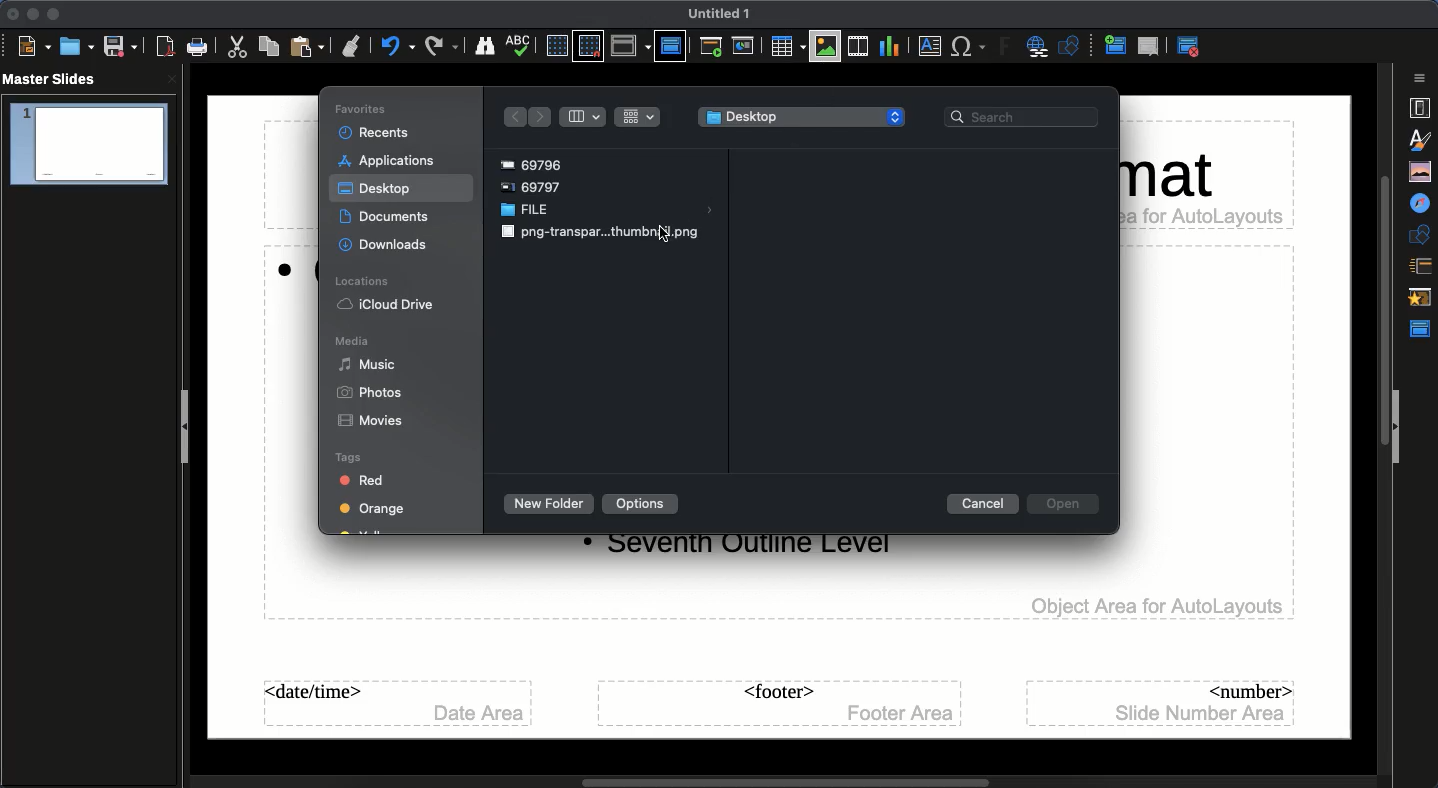  Describe the element at coordinates (119, 47) in the screenshot. I see `Save` at that location.